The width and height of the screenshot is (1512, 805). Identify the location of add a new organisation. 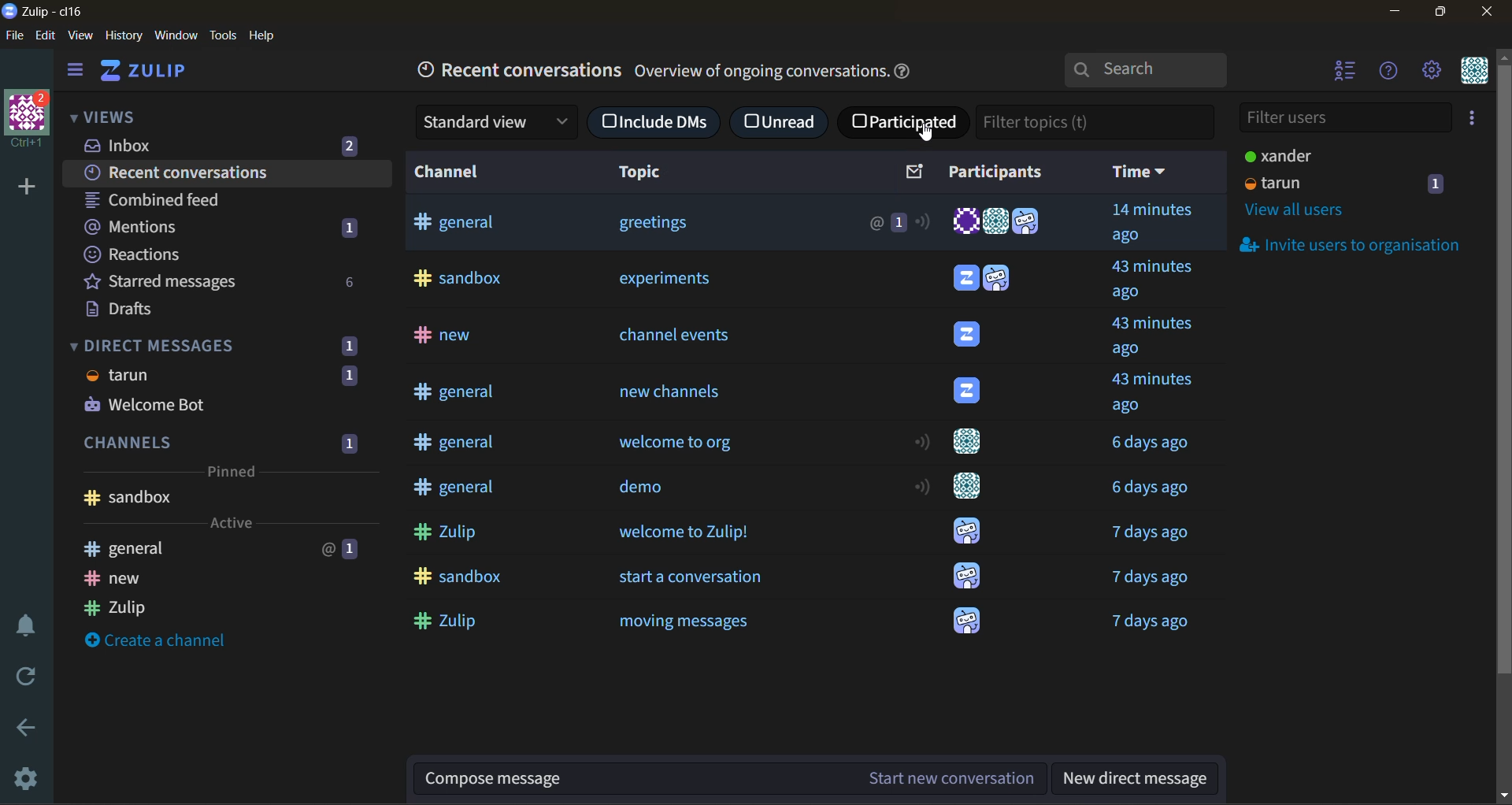
(27, 189).